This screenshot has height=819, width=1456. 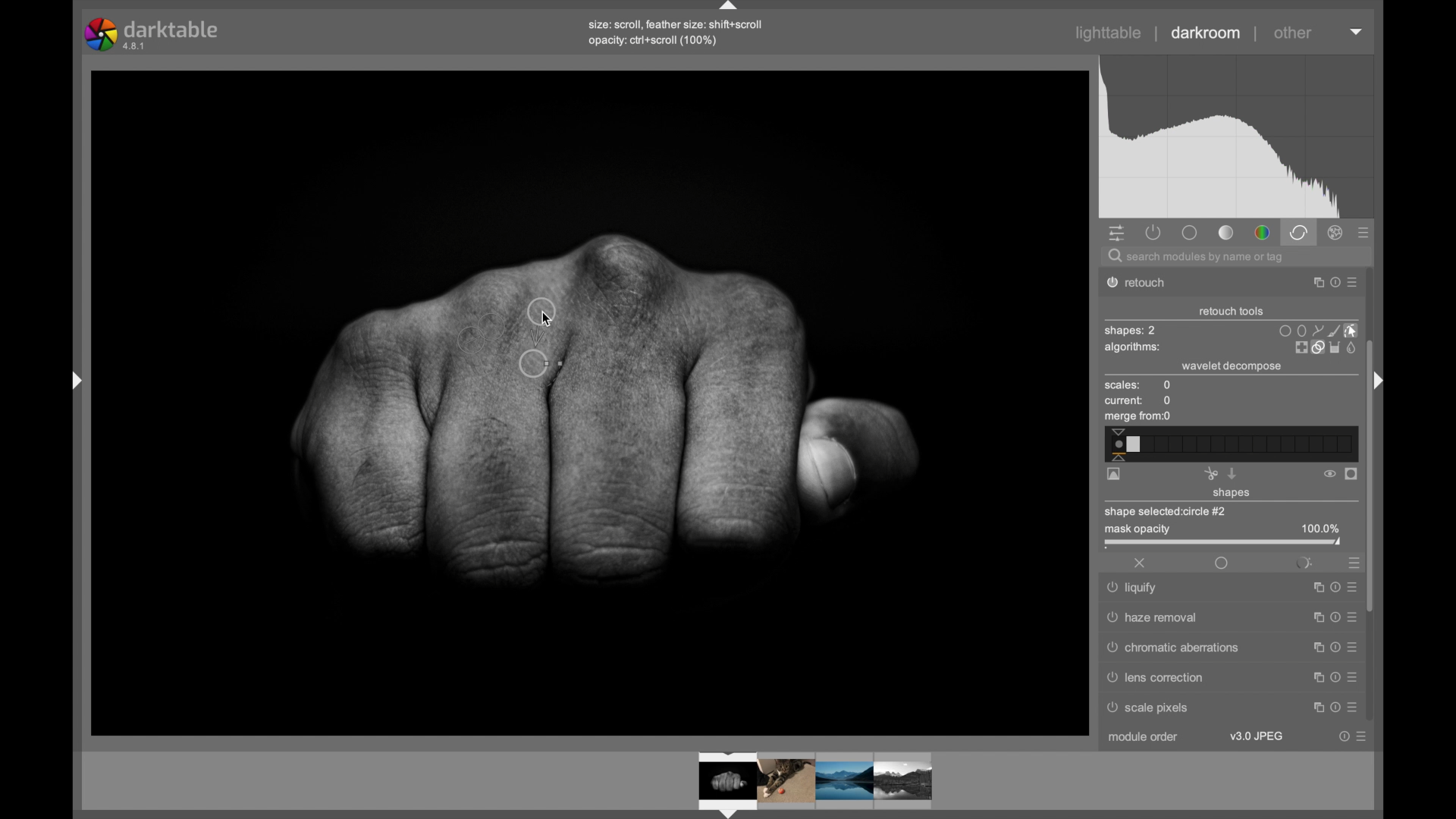 What do you see at coordinates (1109, 33) in the screenshot?
I see `lighttable` at bounding box center [1109, 33].